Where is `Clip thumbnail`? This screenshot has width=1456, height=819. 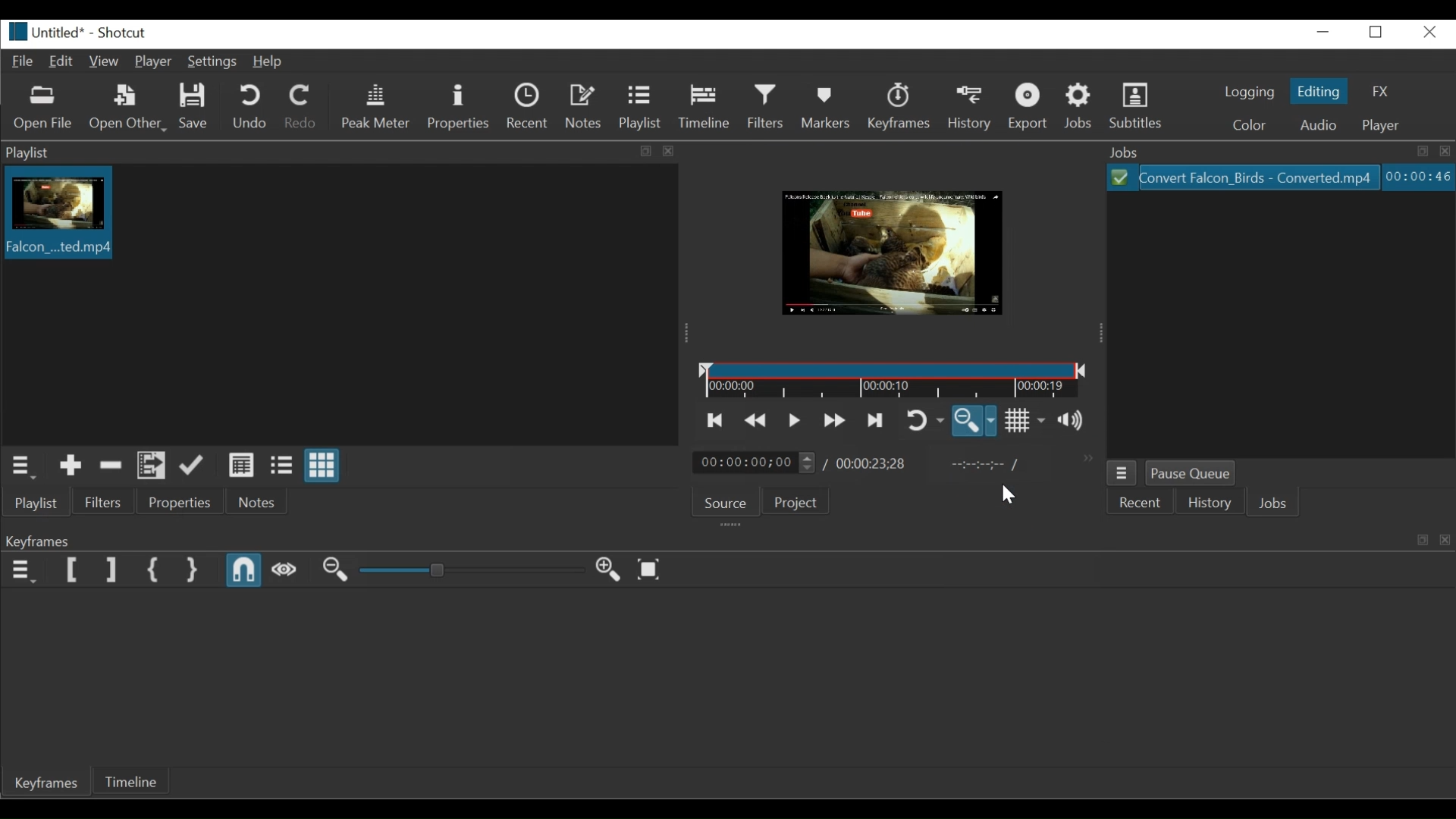
Clip thumbnail is located at coordinates (340, 306).